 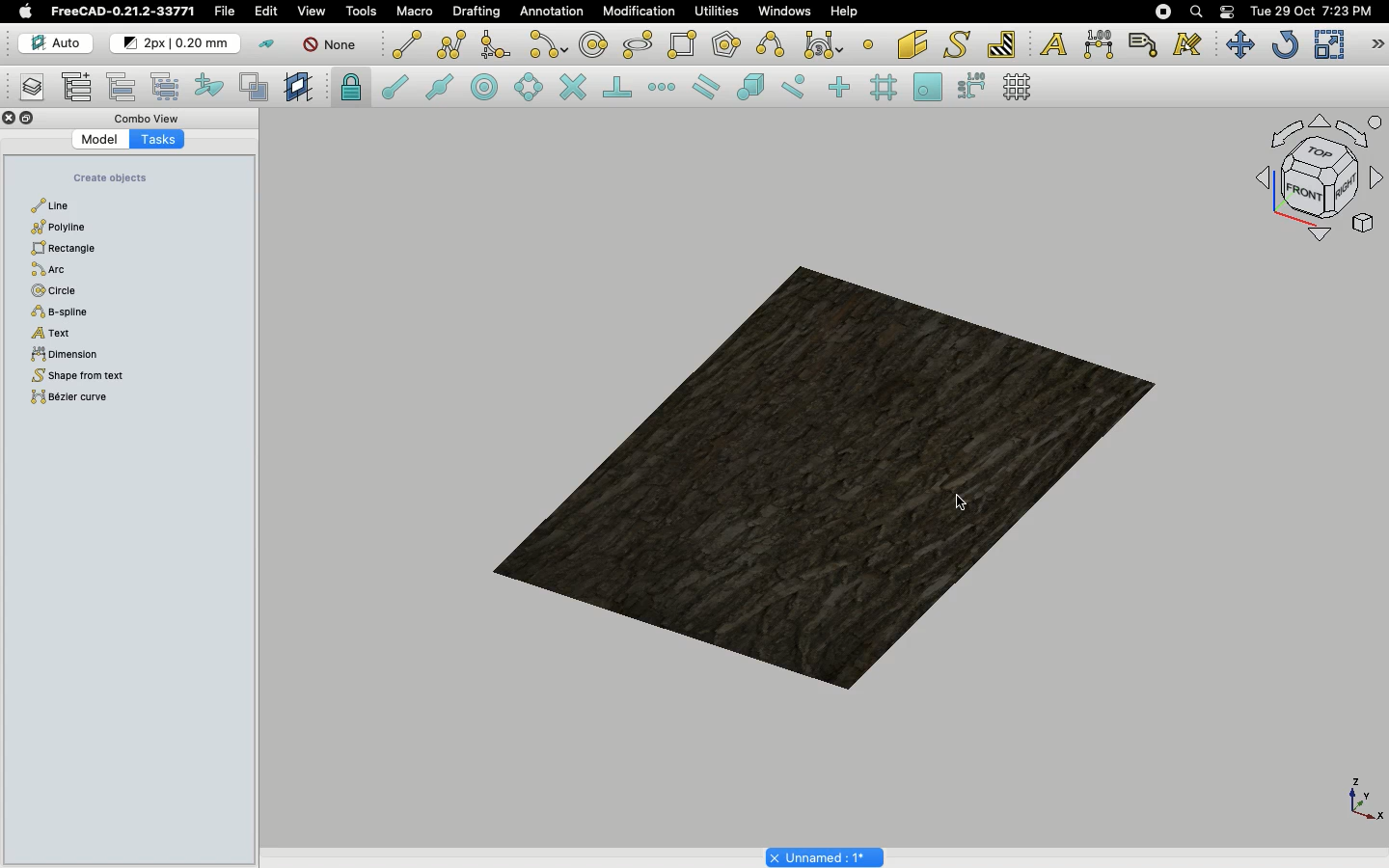 What do you see at coordinates (681, 44) in the screenshot?
I see `Rectangle` at bounding box center [681, 44].